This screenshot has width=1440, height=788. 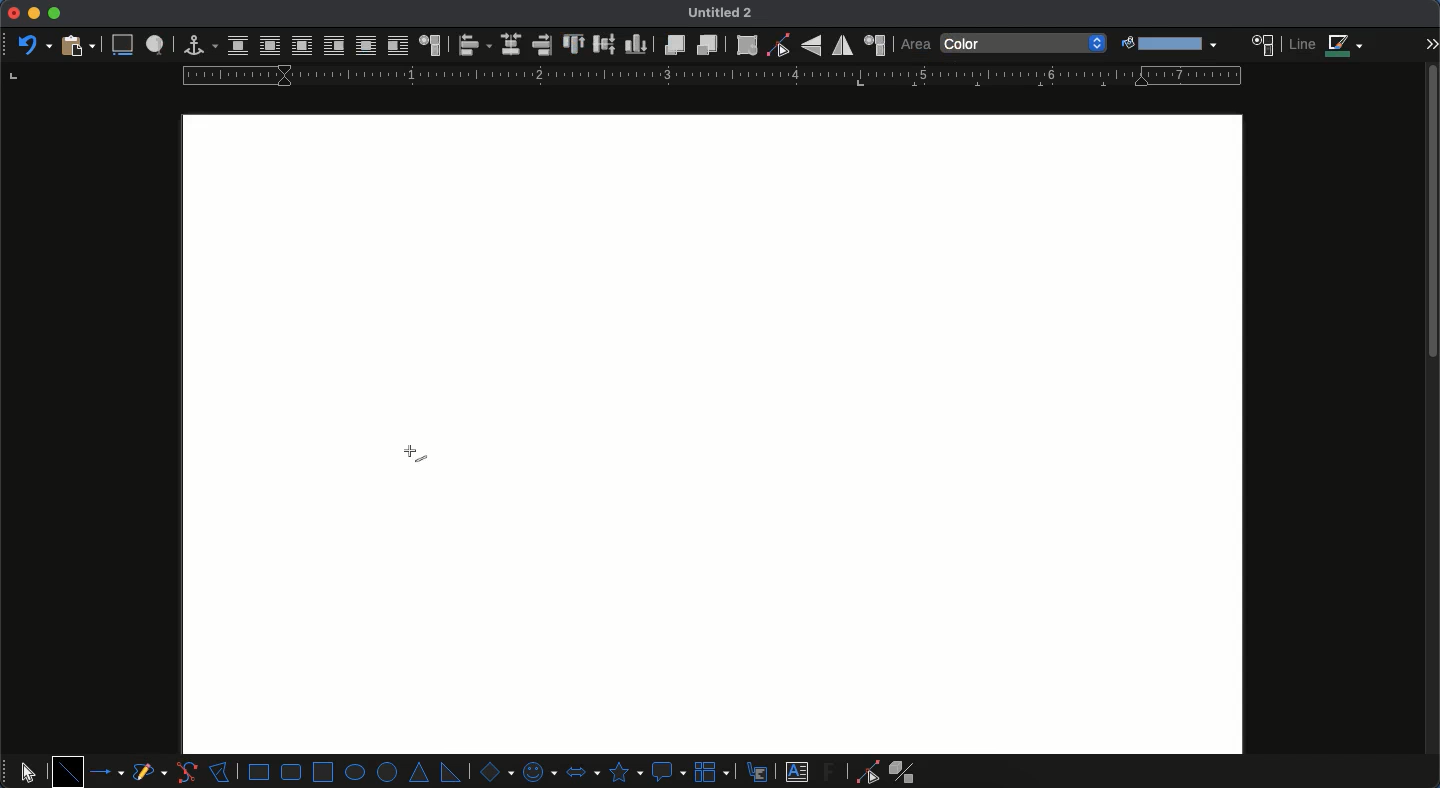 I want to click on area, so click(x=915, y=45).